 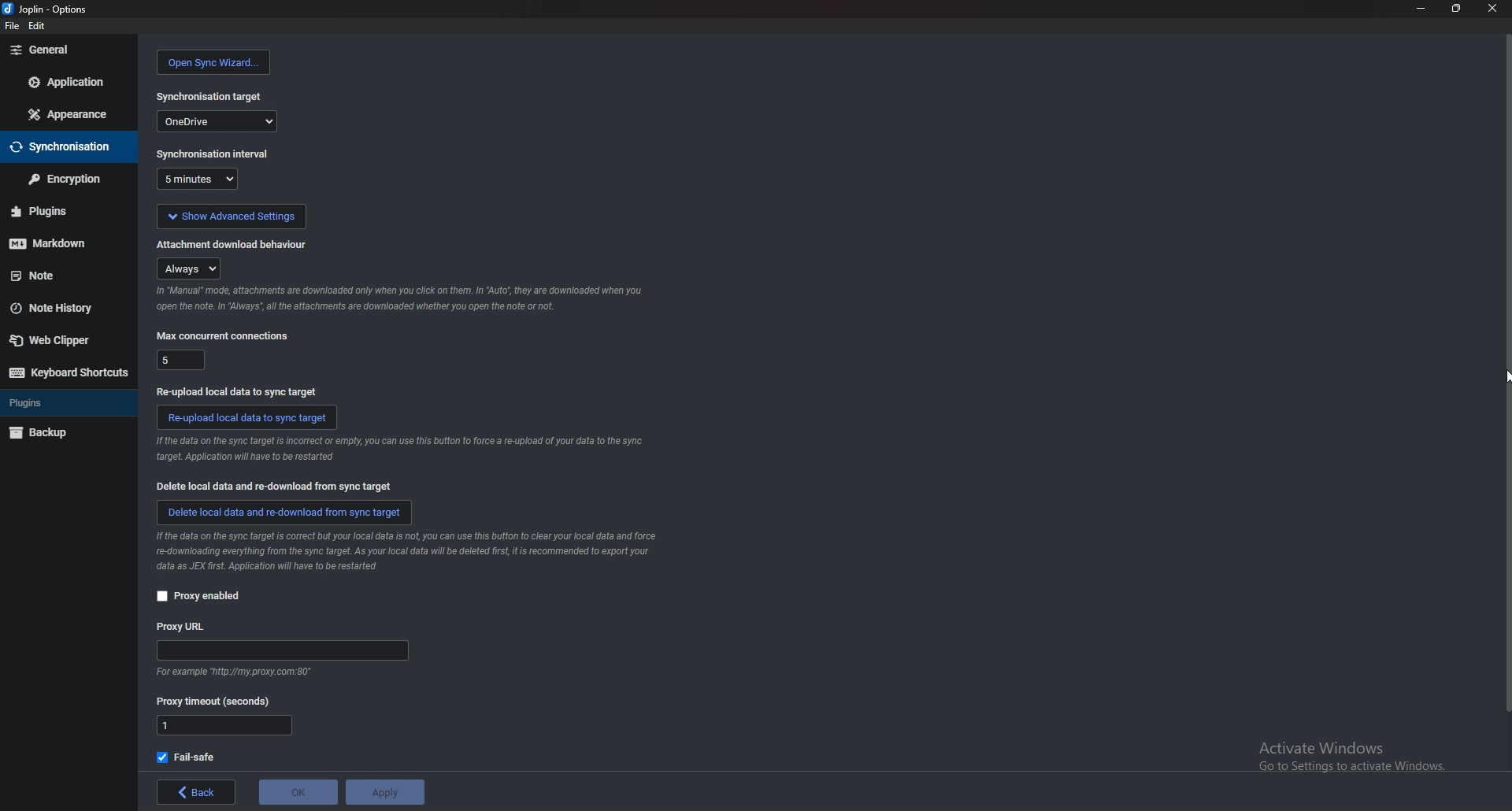 I want to click on markdown, so click(x=57, y=245).